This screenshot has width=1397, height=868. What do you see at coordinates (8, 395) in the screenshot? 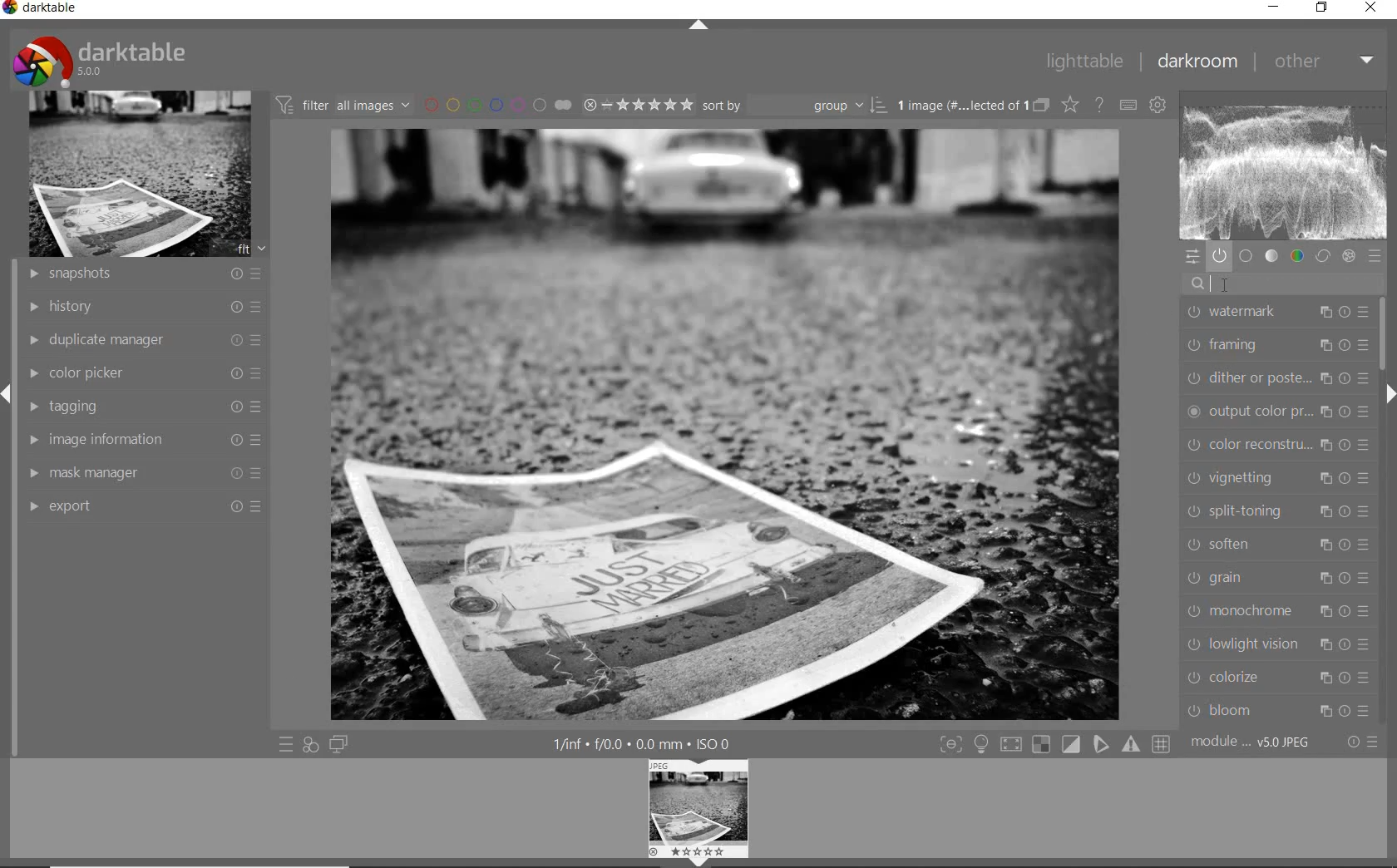
I see `expand/collapse` at bounding box center [8, 395].